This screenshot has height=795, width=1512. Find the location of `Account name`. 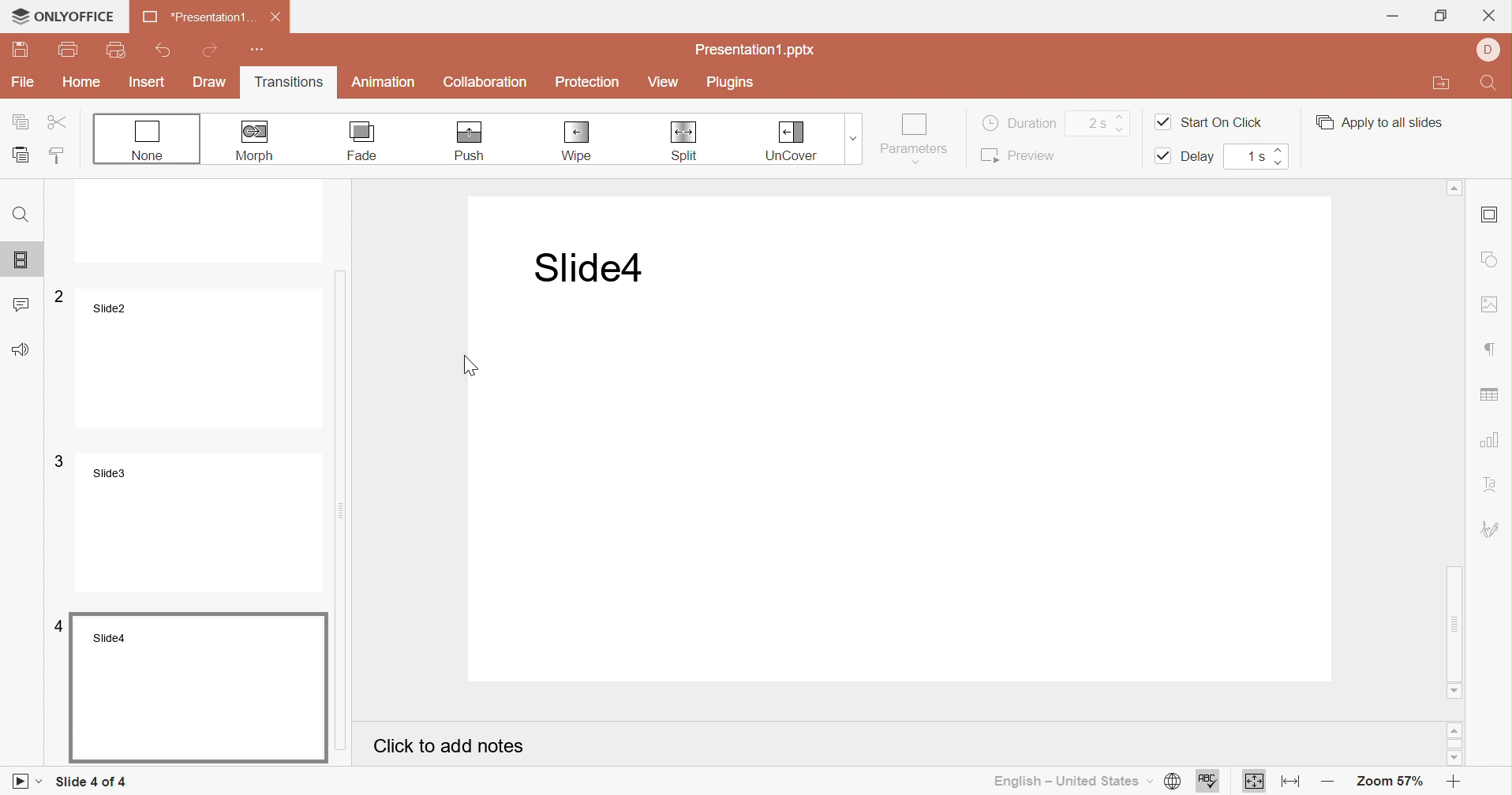

Account name is located at coordinates (1489, 50).